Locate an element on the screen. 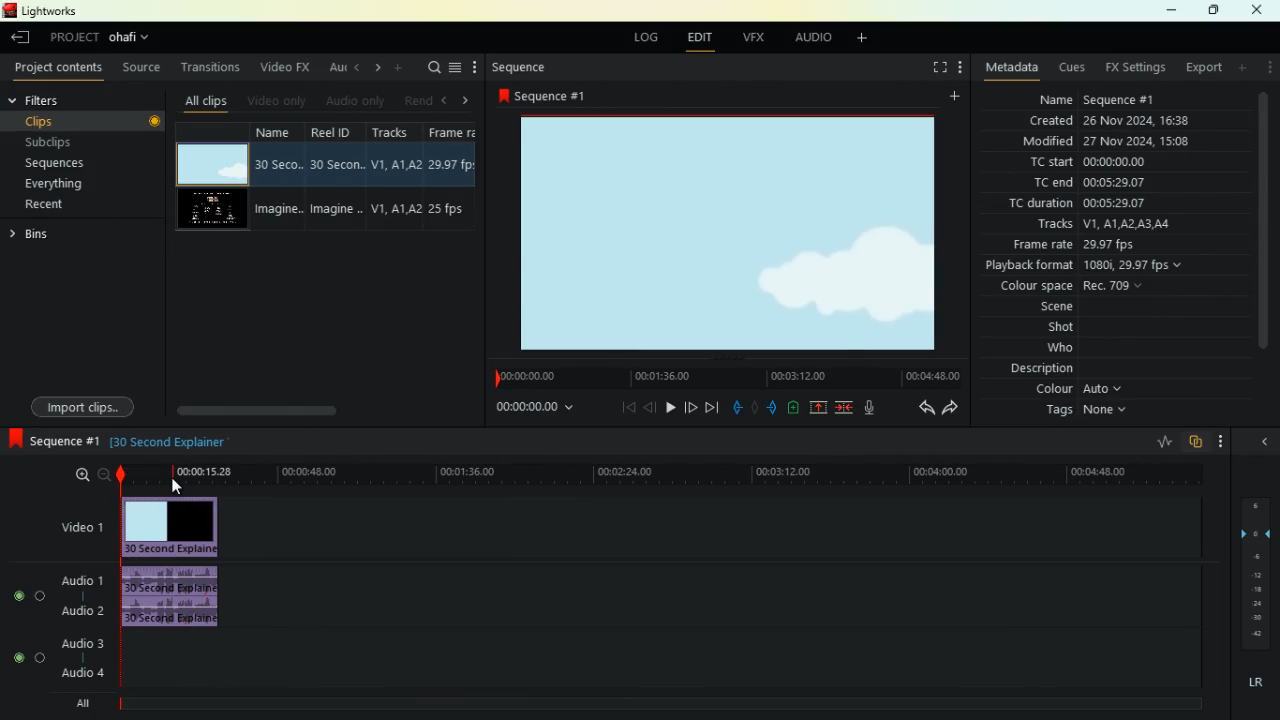 This screenshot has width=1280, height=720. 27 Nov 2024, 15:07 is located at coordinates (1143, 141).